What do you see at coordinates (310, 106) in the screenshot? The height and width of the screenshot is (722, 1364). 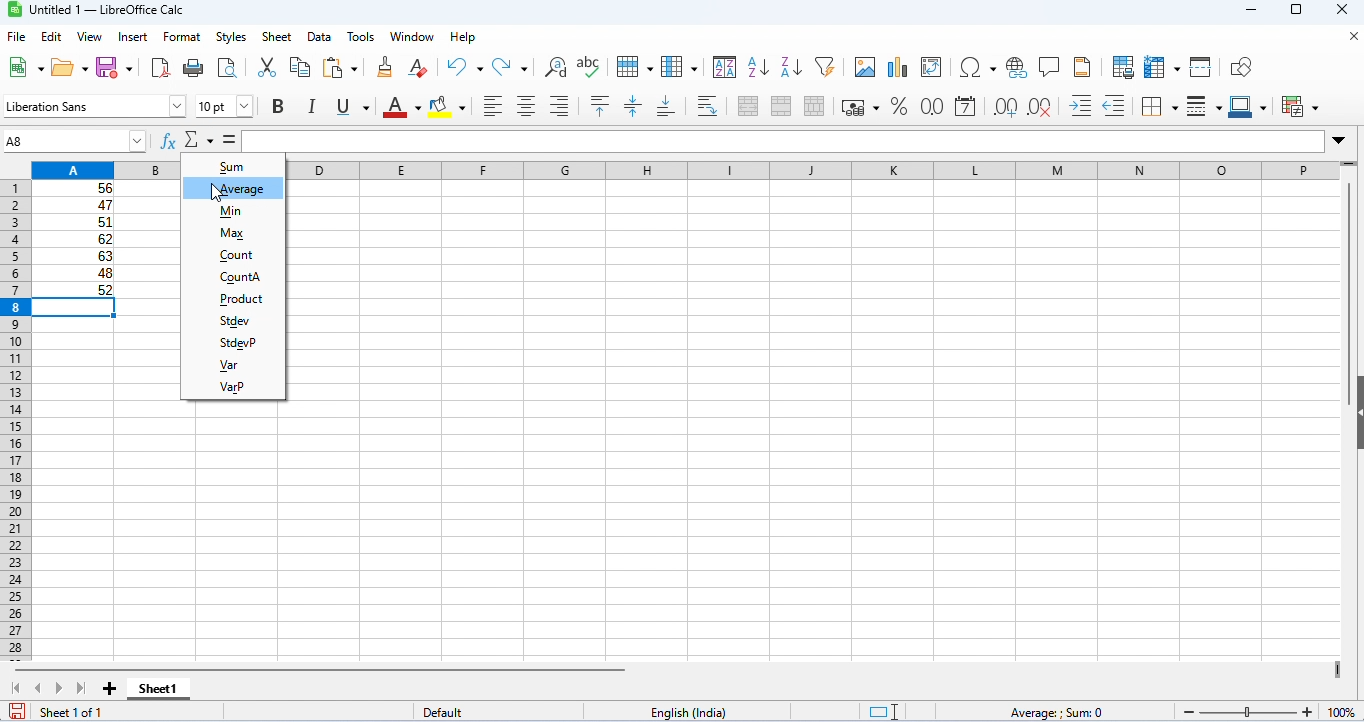 I see `italics` at bounding box center [310, 106].